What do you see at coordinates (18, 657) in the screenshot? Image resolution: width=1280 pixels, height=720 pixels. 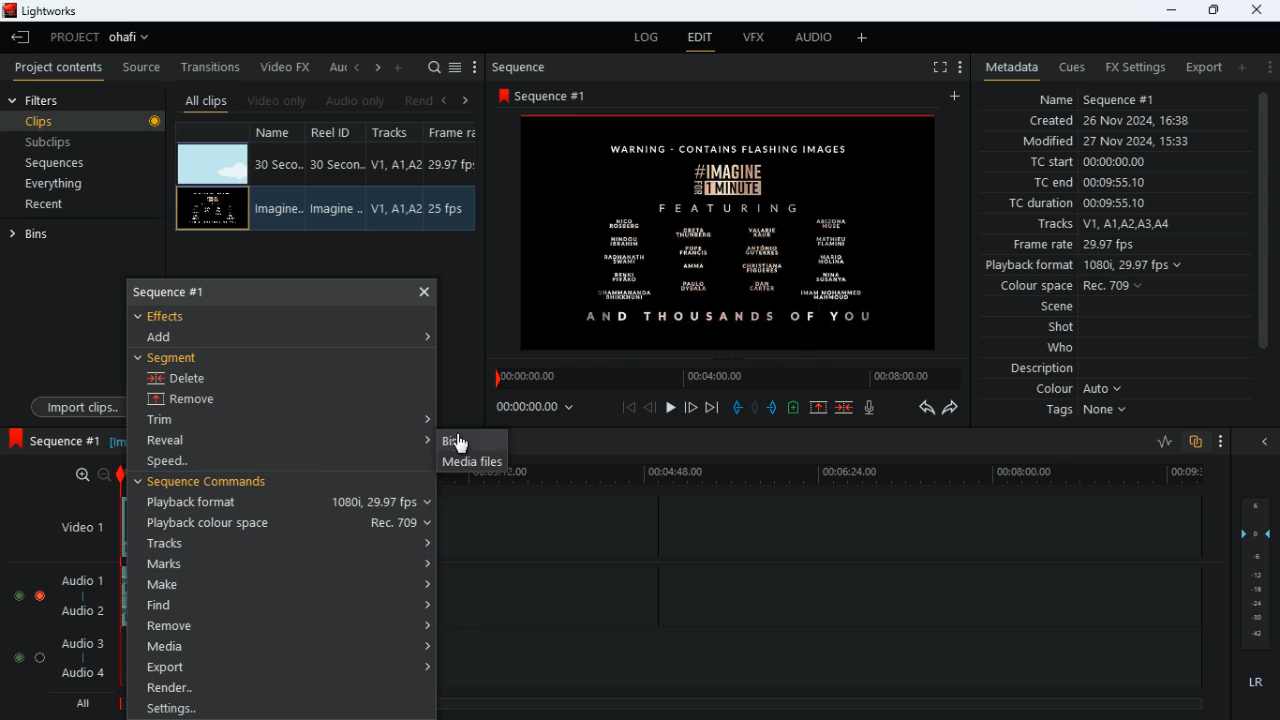 I see `toggle` at bounding box center [18, 657].